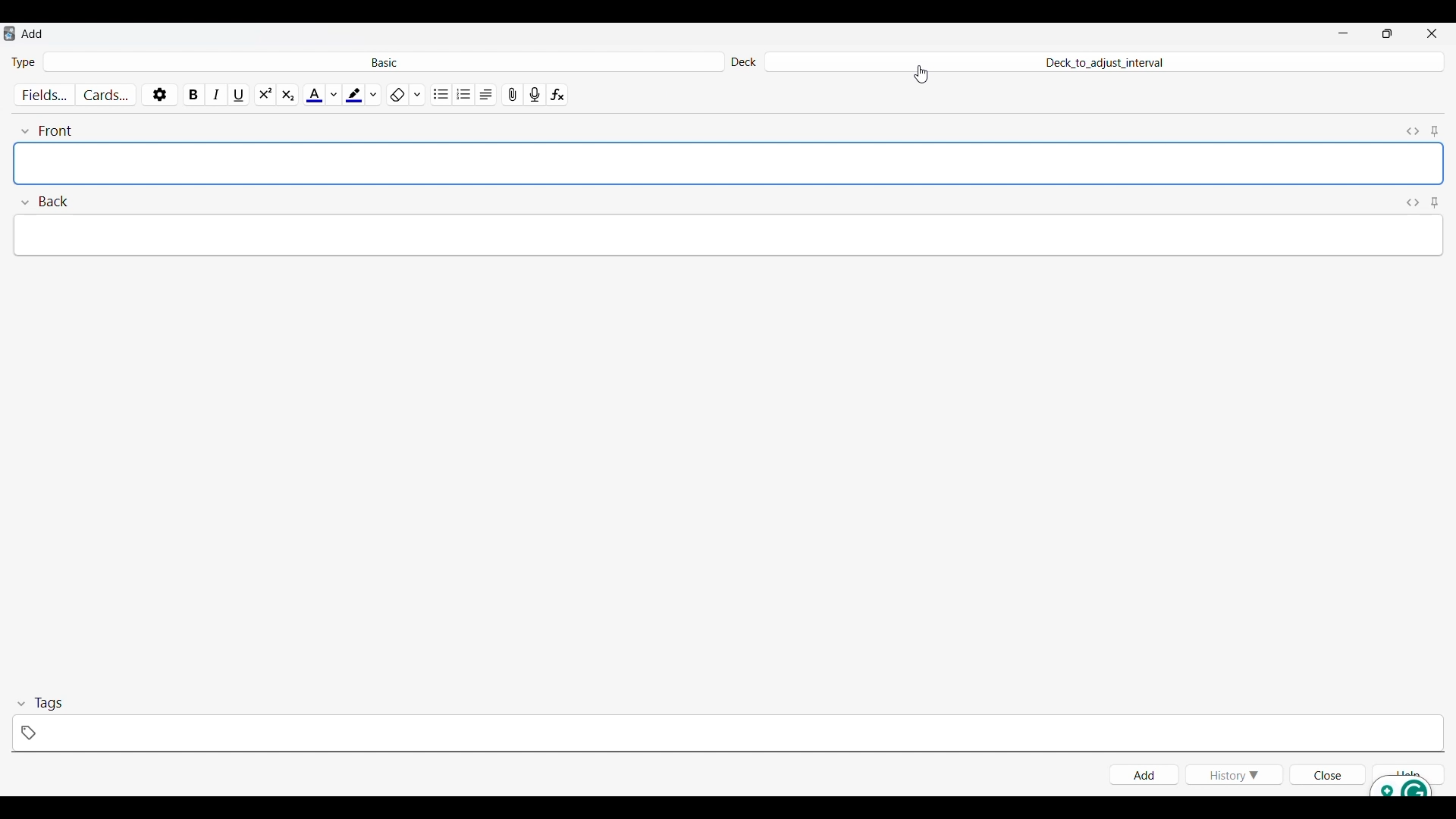  I want to click on Formatting options, so click(417, 94).